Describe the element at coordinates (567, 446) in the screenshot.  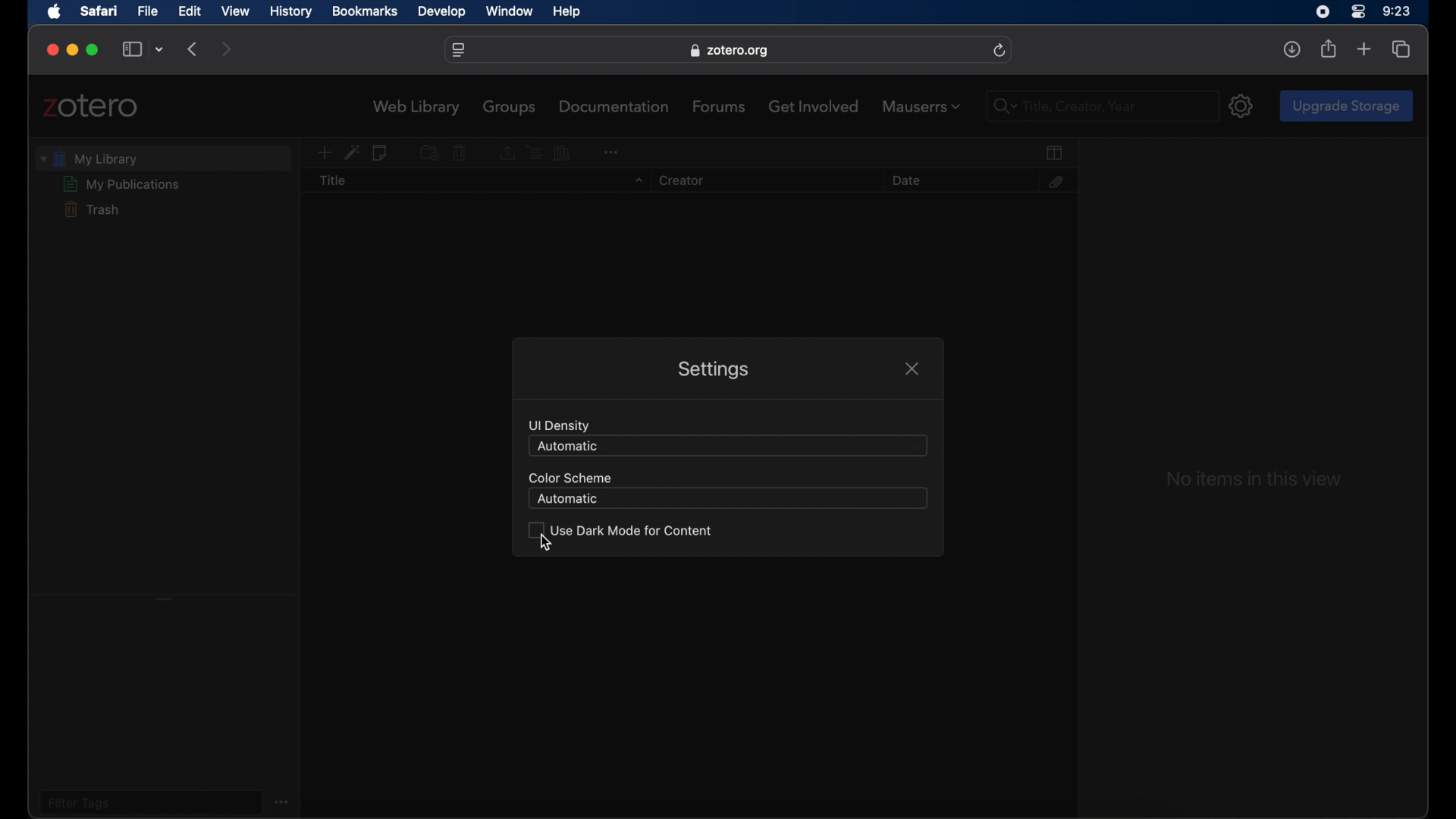
I see `automatic` at that location.